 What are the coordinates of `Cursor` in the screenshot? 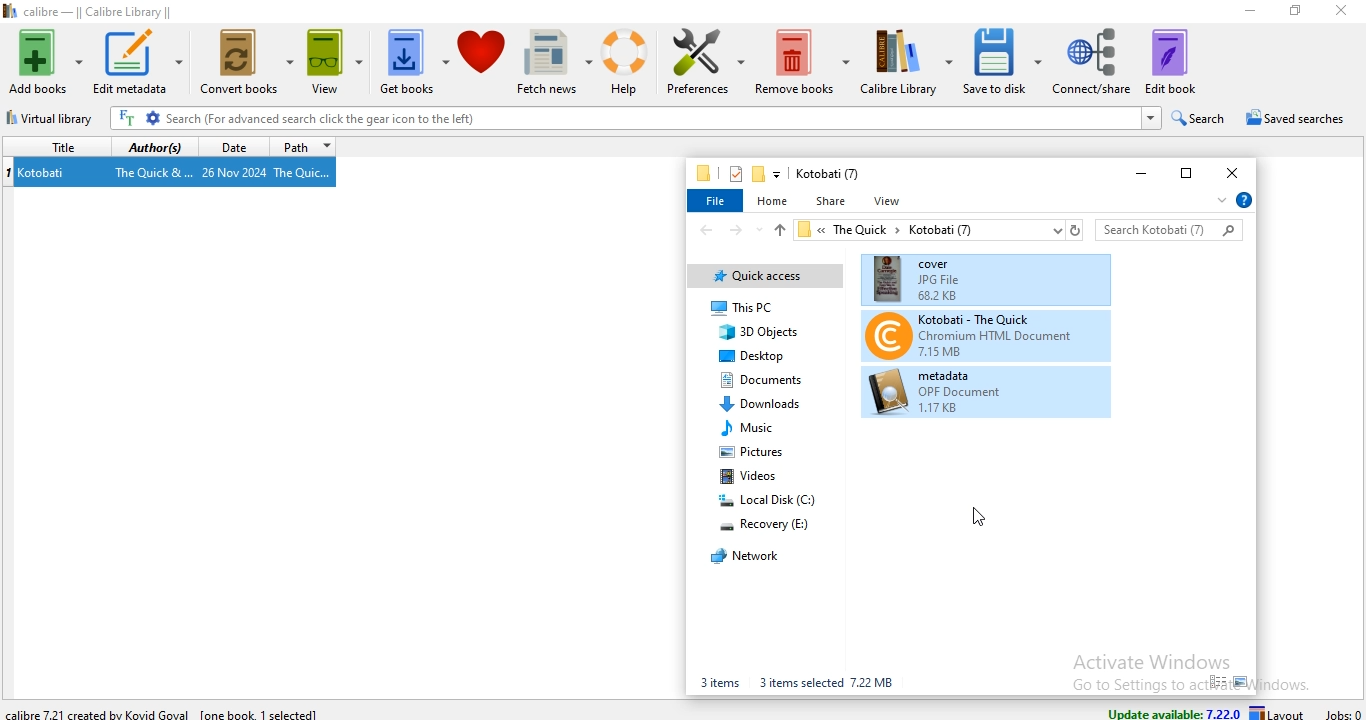 It's located at (982, 517).